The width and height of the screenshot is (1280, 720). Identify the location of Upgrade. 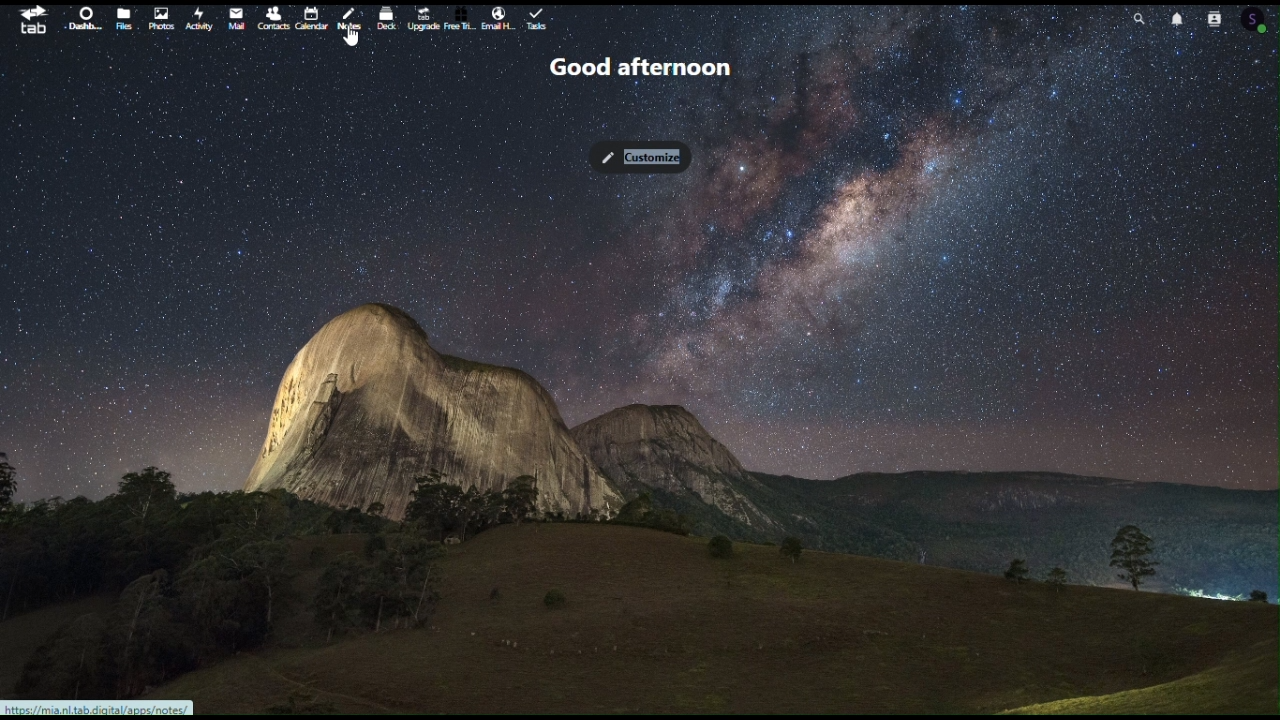
(422, 15).